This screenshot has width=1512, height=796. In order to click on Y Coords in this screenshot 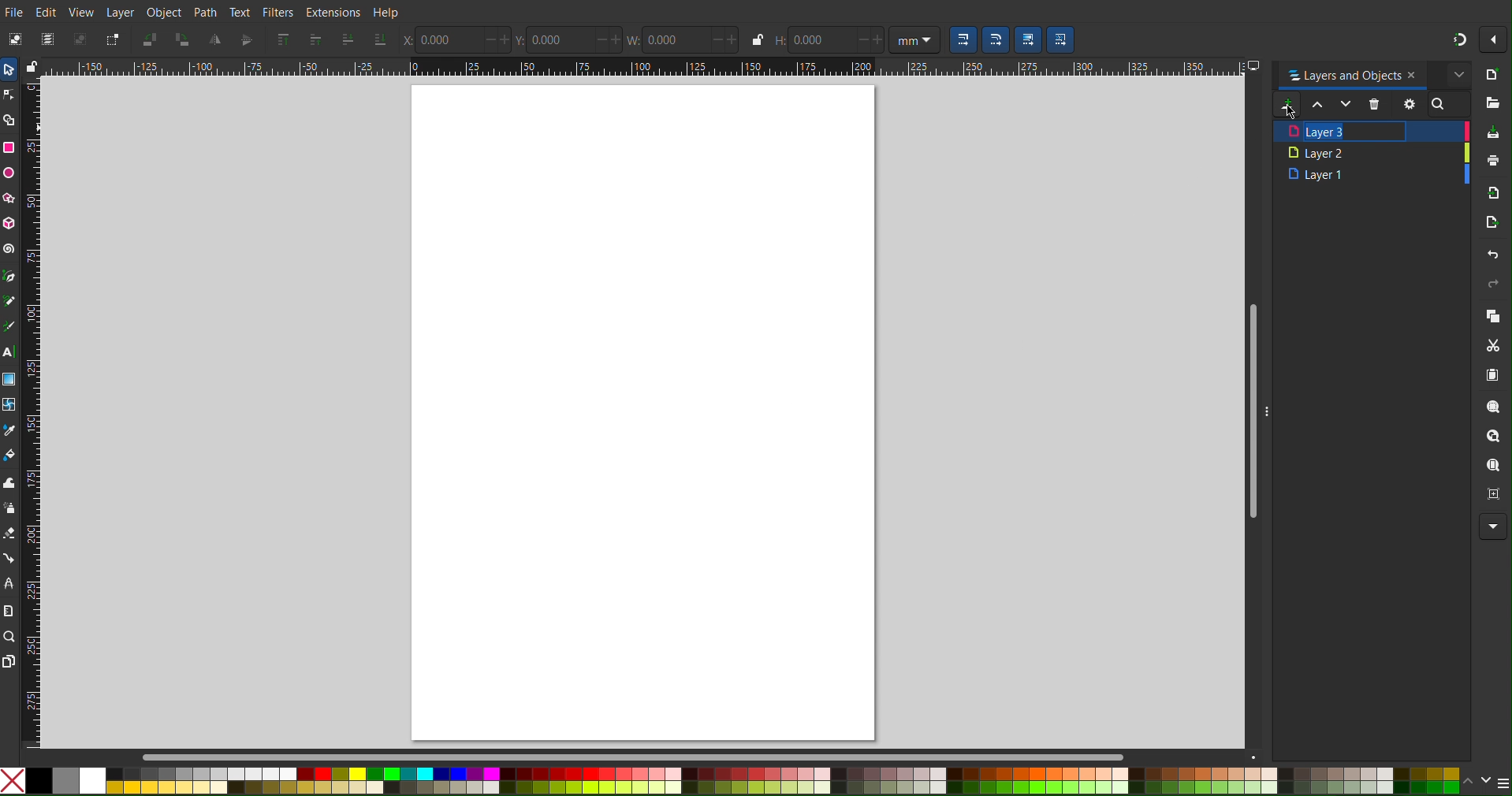, I will do `click(572, 40)`.